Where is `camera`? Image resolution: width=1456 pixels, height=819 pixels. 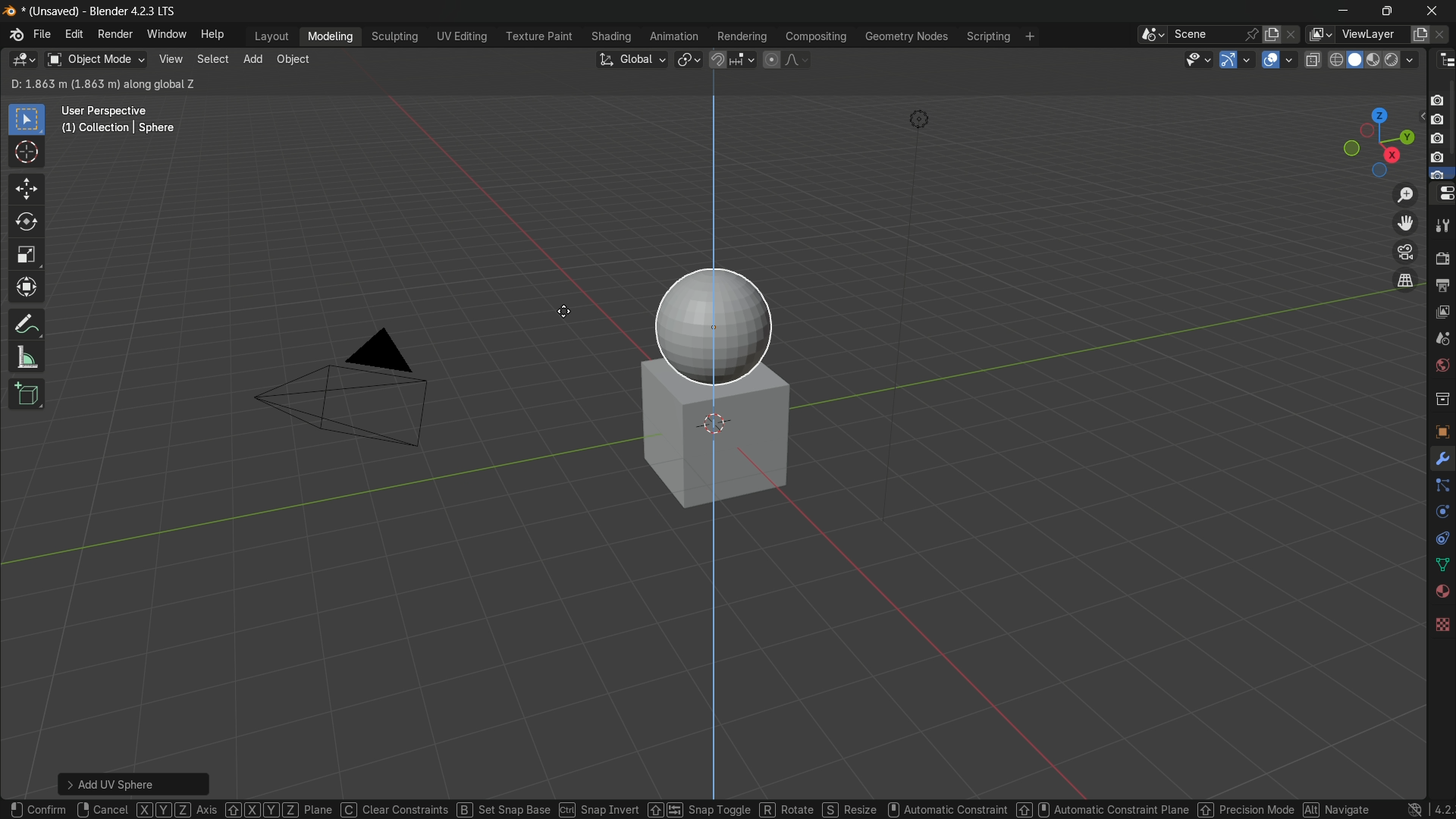
camera is located at coordinates (1441, 133).